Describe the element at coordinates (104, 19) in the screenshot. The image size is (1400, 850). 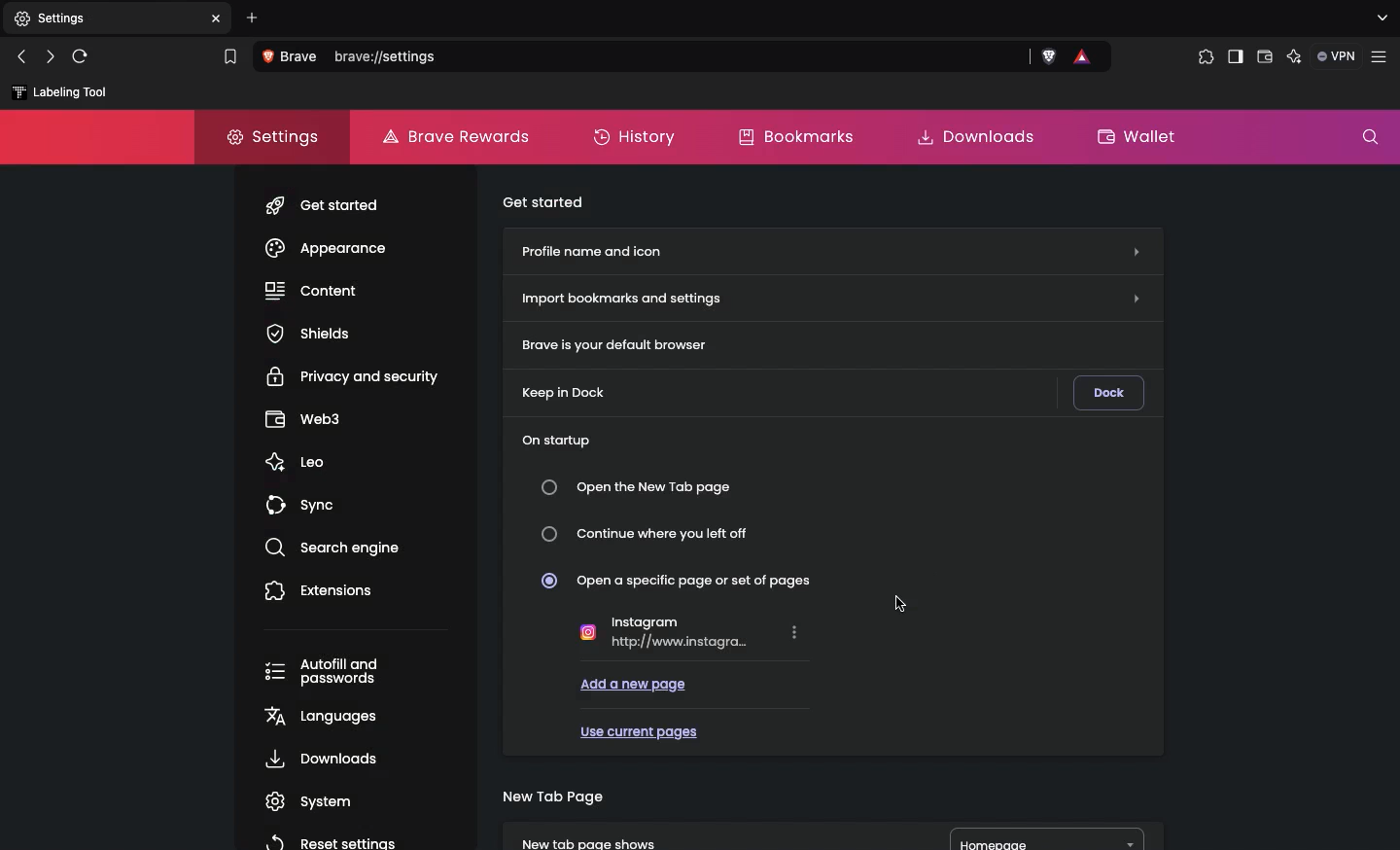
I see `Settings` at that location.